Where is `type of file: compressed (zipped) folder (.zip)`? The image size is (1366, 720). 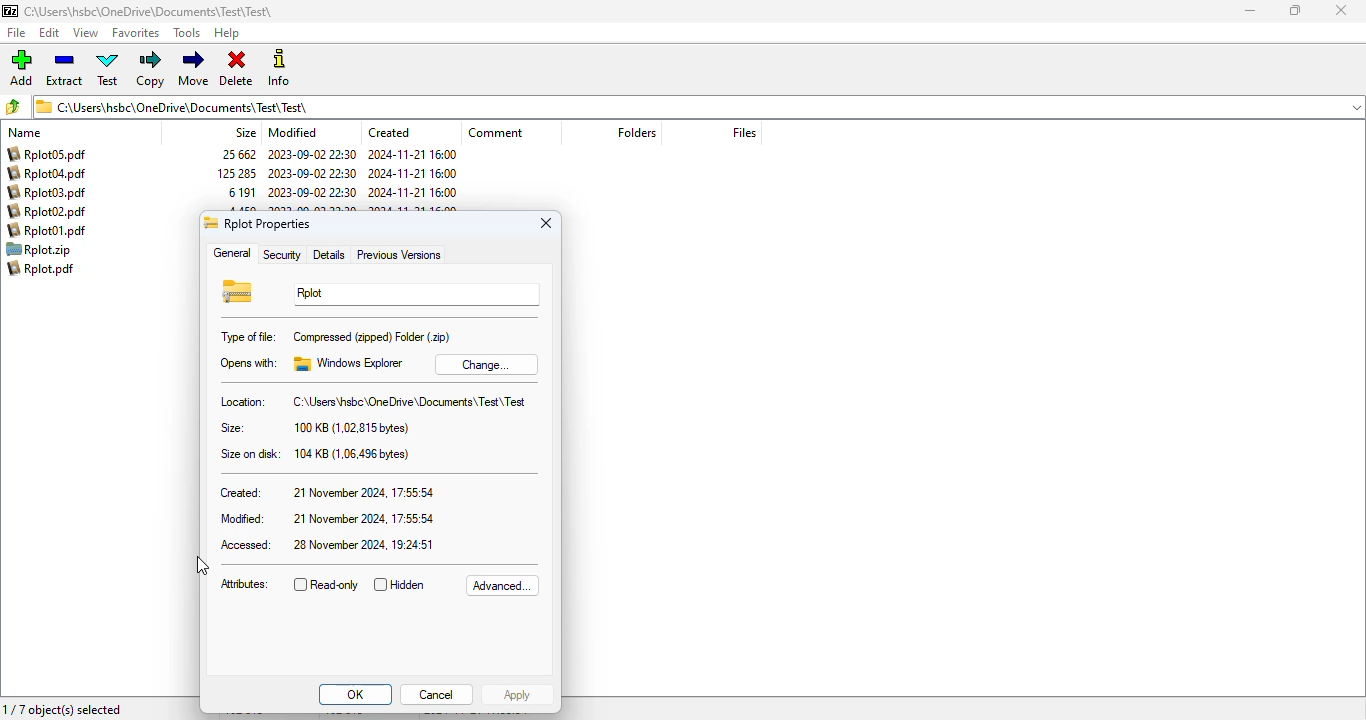 type of file: compressed (zipped) folder (.zip) is located at coordinates (335, 337).